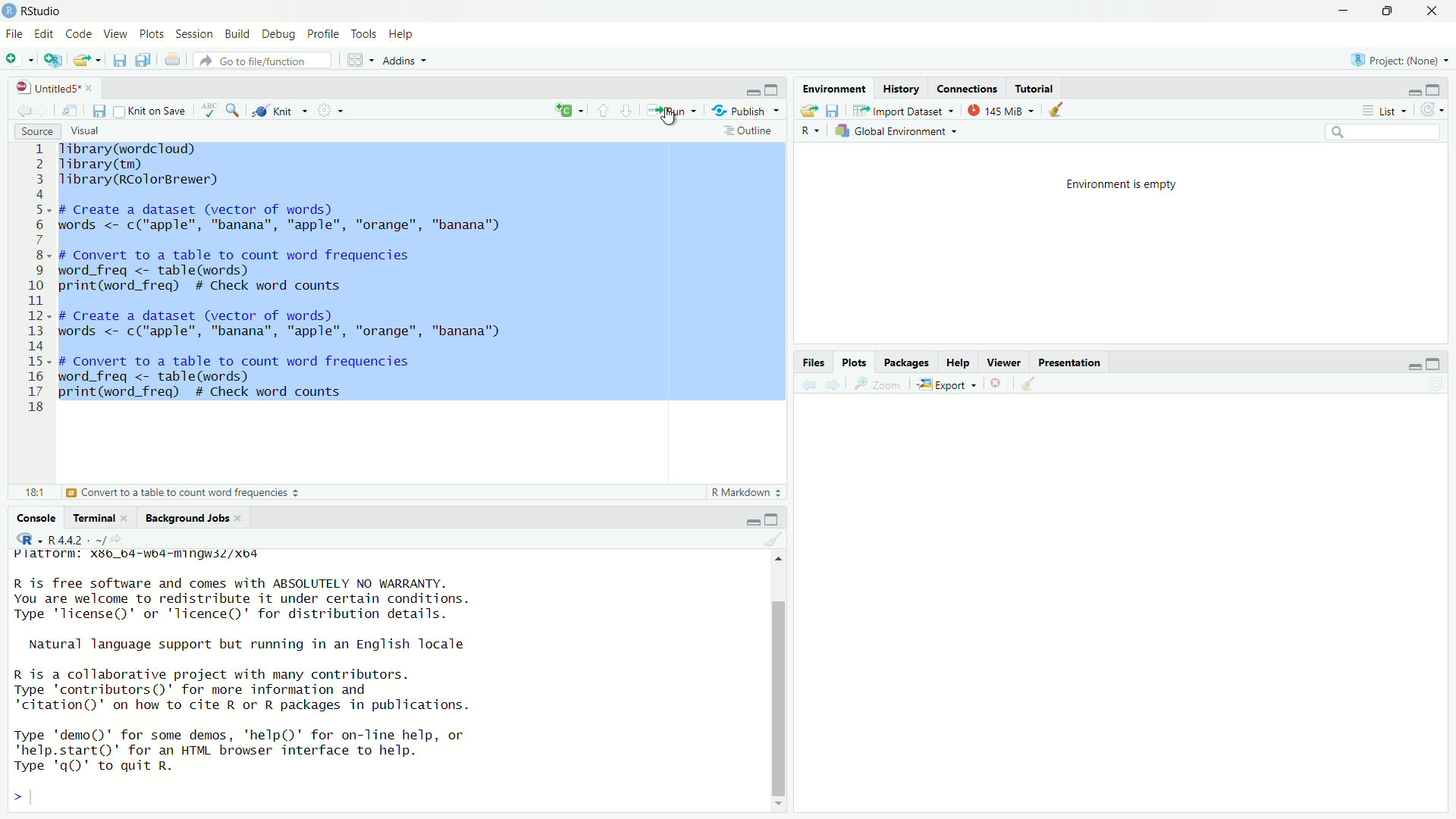  What do you see at coordinates (45, 111) in the screenshot?
I see `Go forward to the next source location` at bounding box center [45, 111].